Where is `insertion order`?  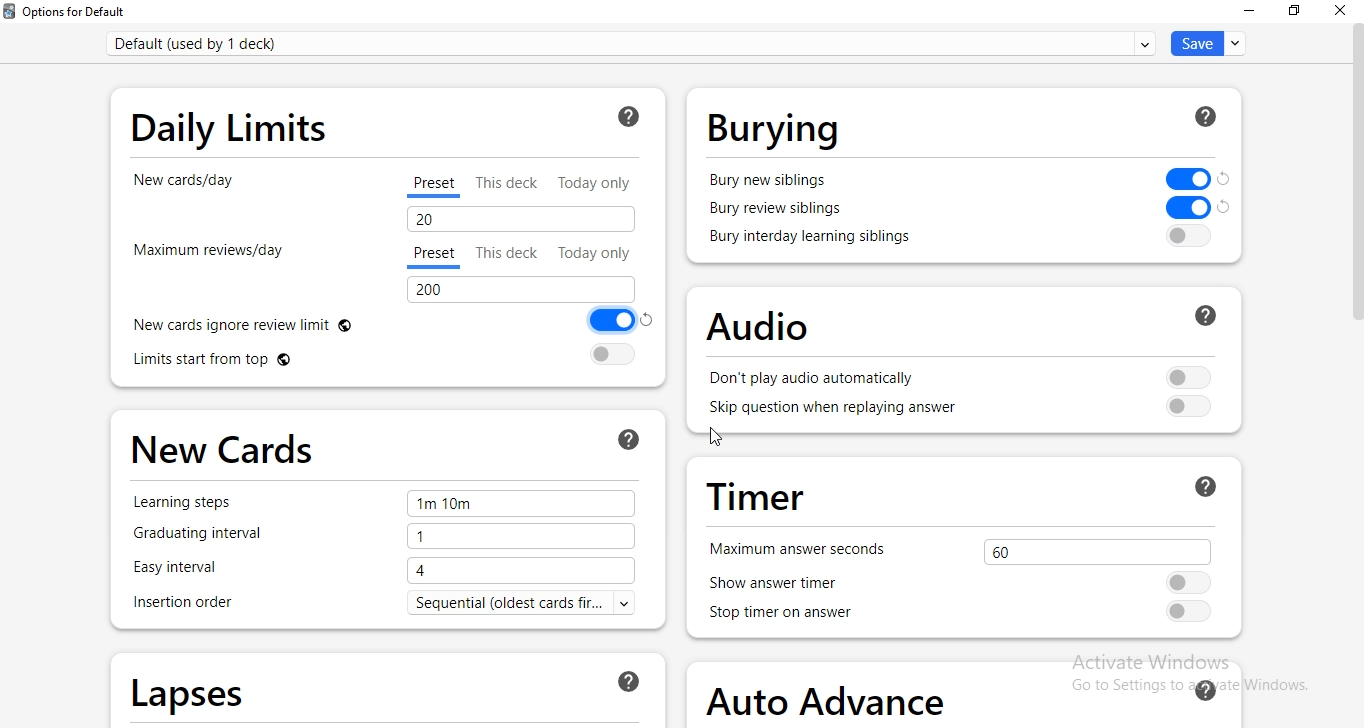 insertion order is located at coordinates (184, 604).